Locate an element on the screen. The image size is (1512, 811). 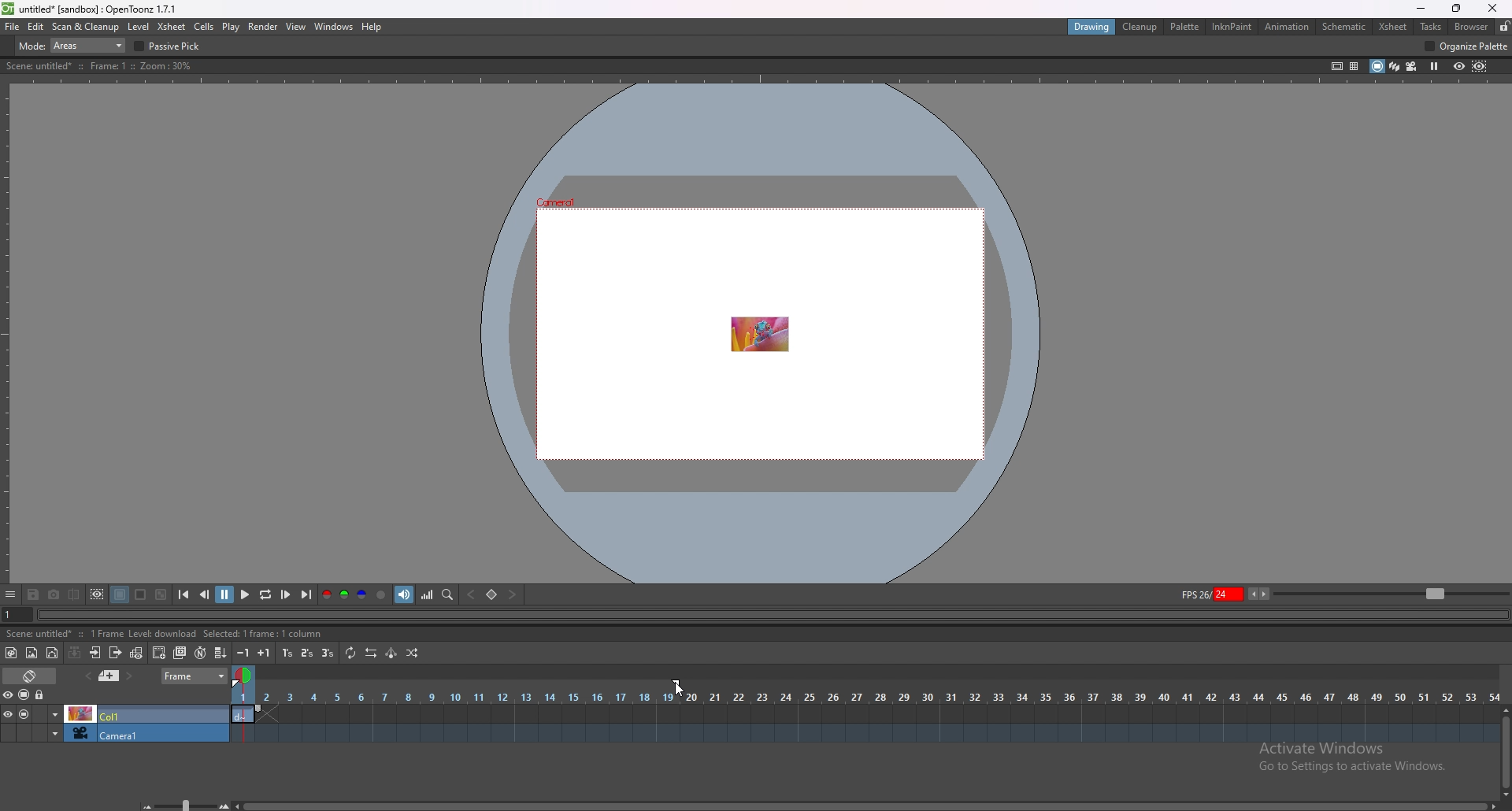
first frame is located at coordinates (184, 595).